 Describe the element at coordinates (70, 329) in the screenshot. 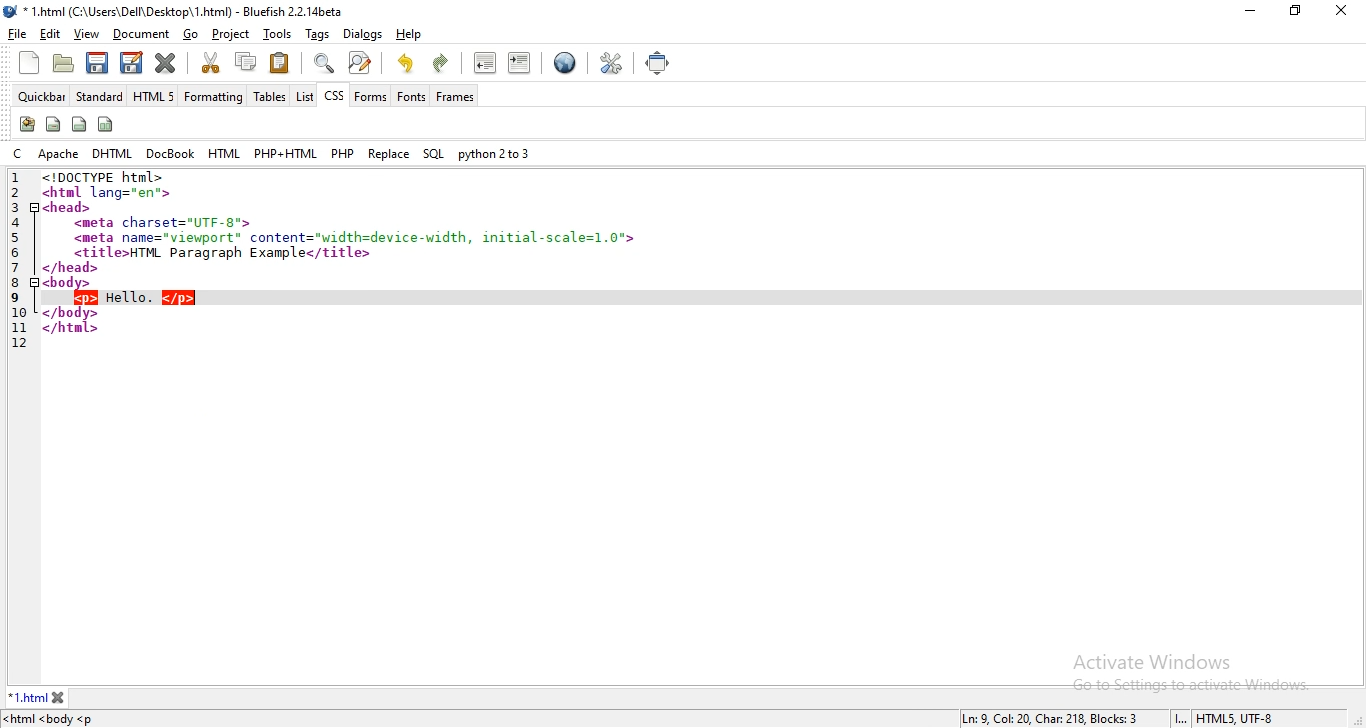

I see `</html>` at that location.